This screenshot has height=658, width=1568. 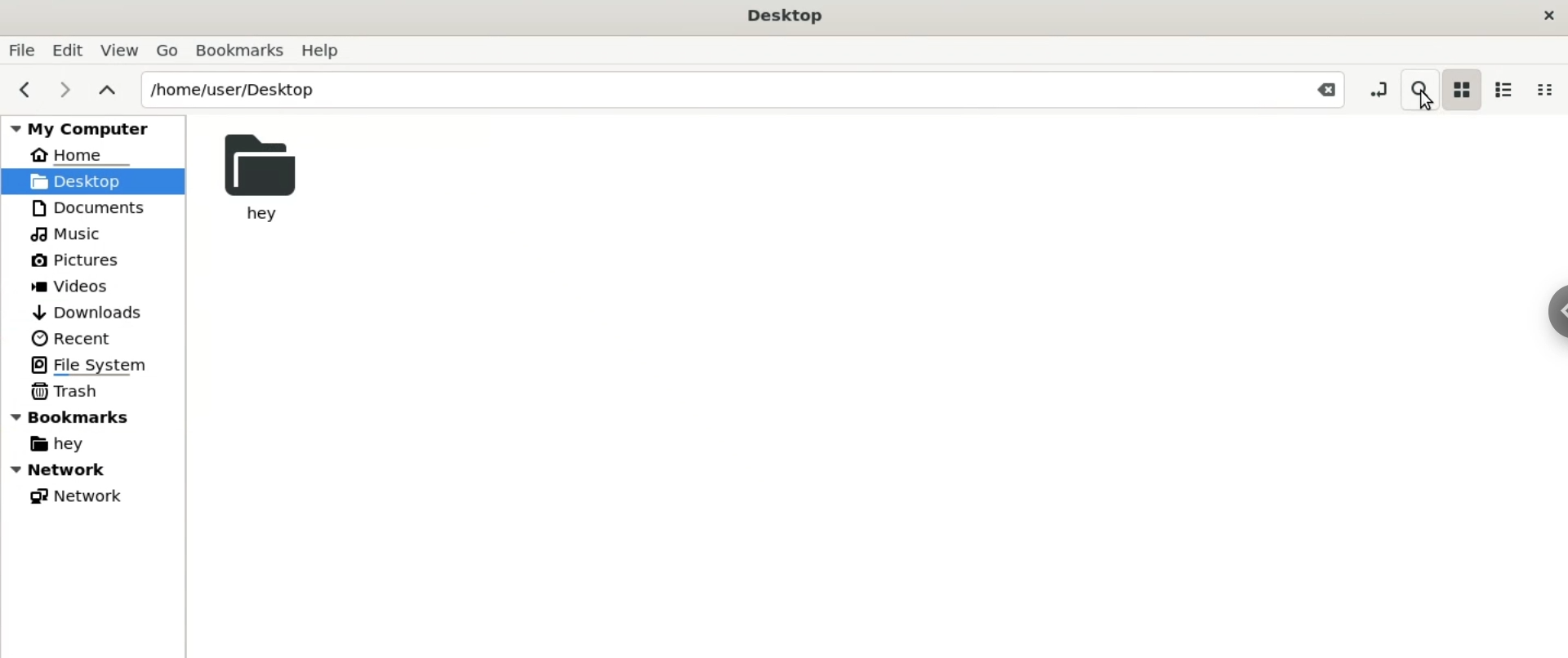 I want to click on Network, so click(x=93, y=469).